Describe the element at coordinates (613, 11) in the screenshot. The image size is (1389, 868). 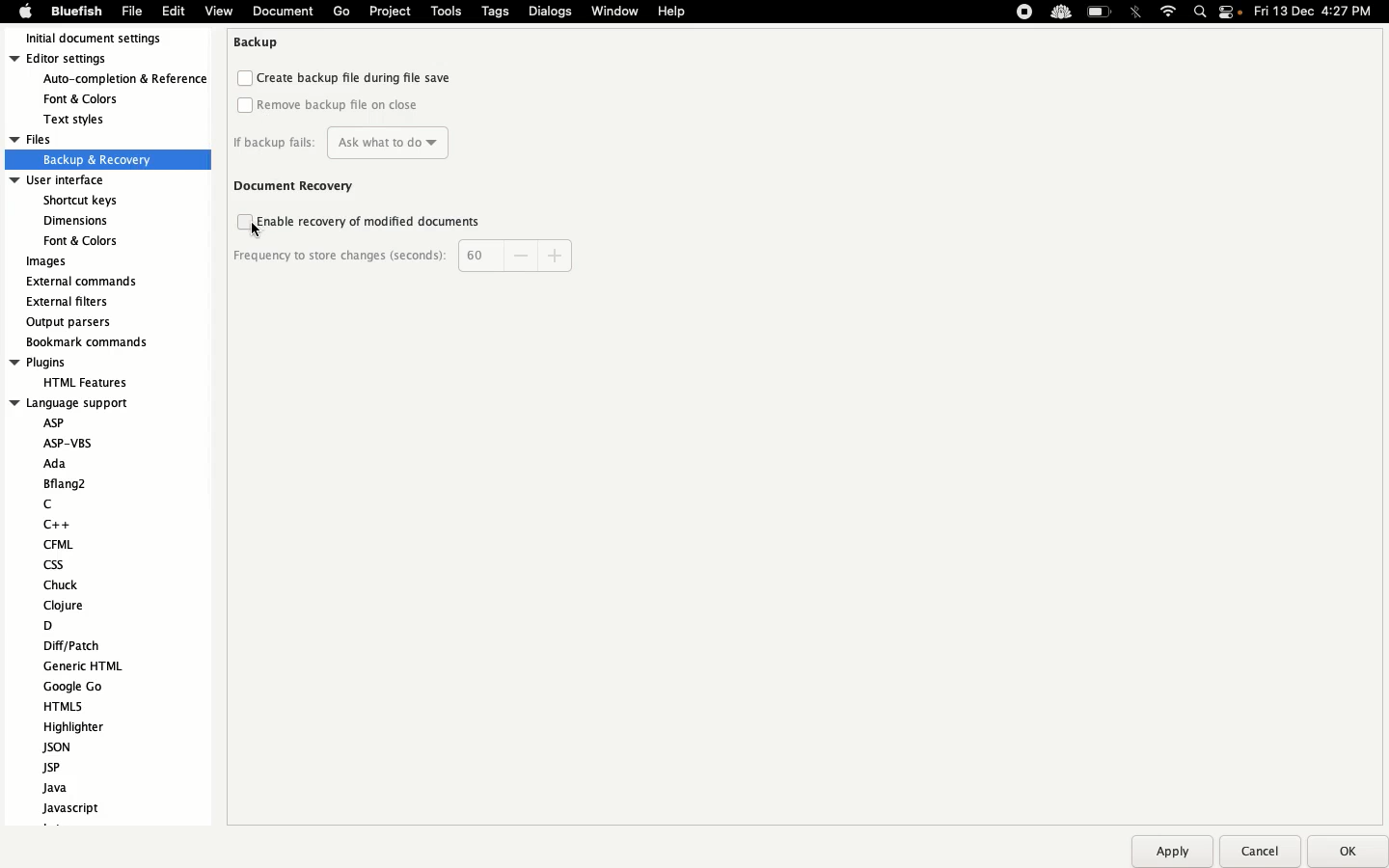
I see `Window` at that location.